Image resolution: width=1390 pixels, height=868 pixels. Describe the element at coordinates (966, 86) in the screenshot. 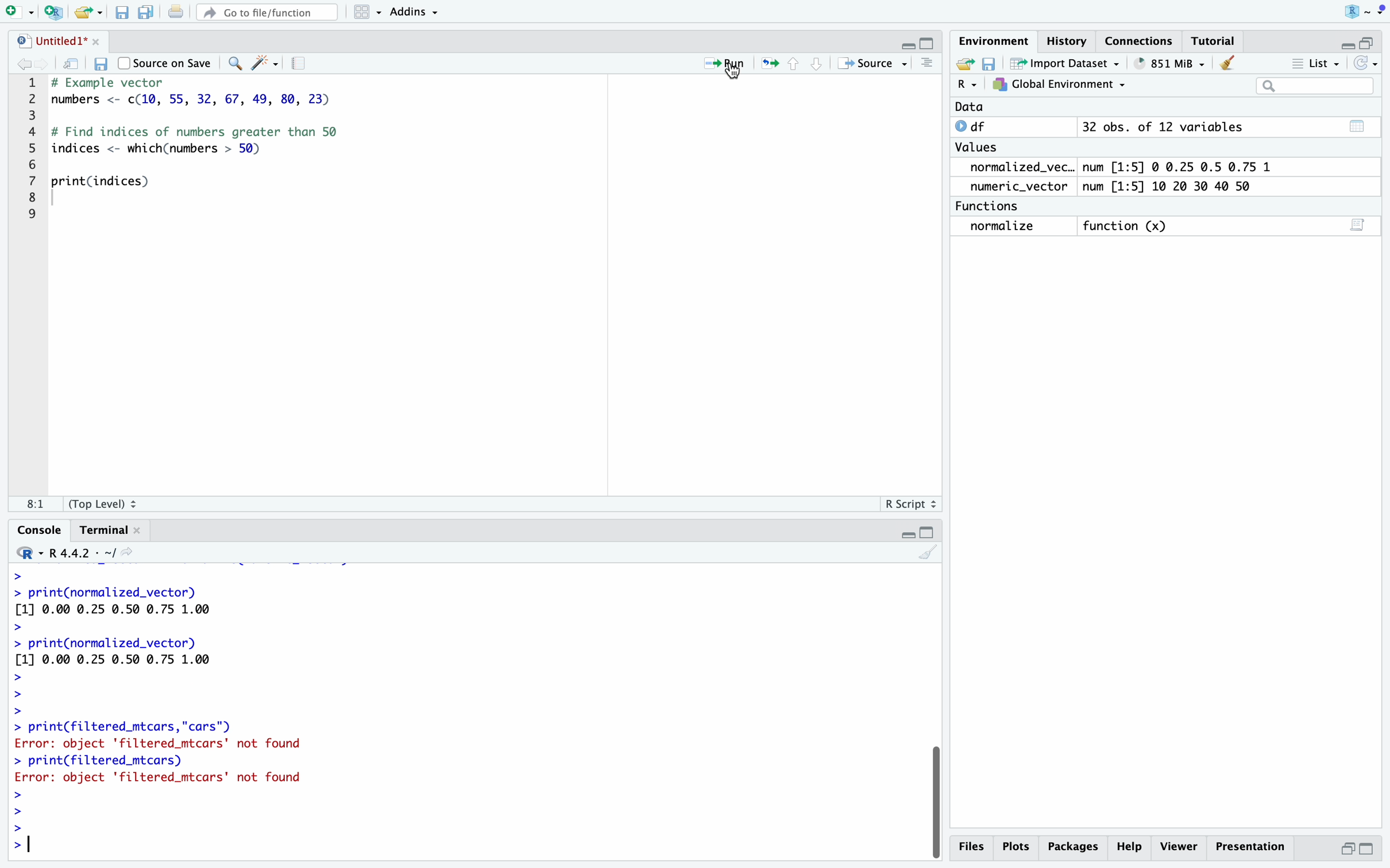

I see `R` at that location.